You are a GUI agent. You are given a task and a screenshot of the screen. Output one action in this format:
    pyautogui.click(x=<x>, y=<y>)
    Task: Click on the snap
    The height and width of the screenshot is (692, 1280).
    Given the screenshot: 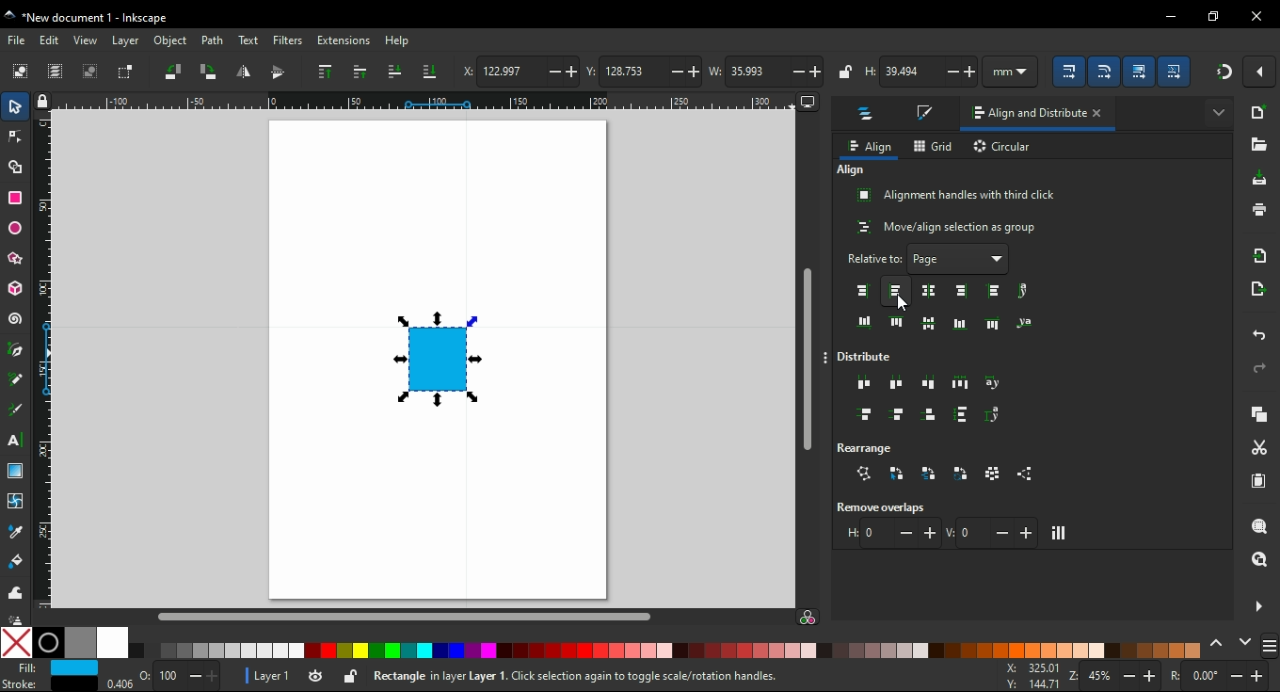 What is the action you would take?
    pyautogui.click(x=1226, y=75)
    